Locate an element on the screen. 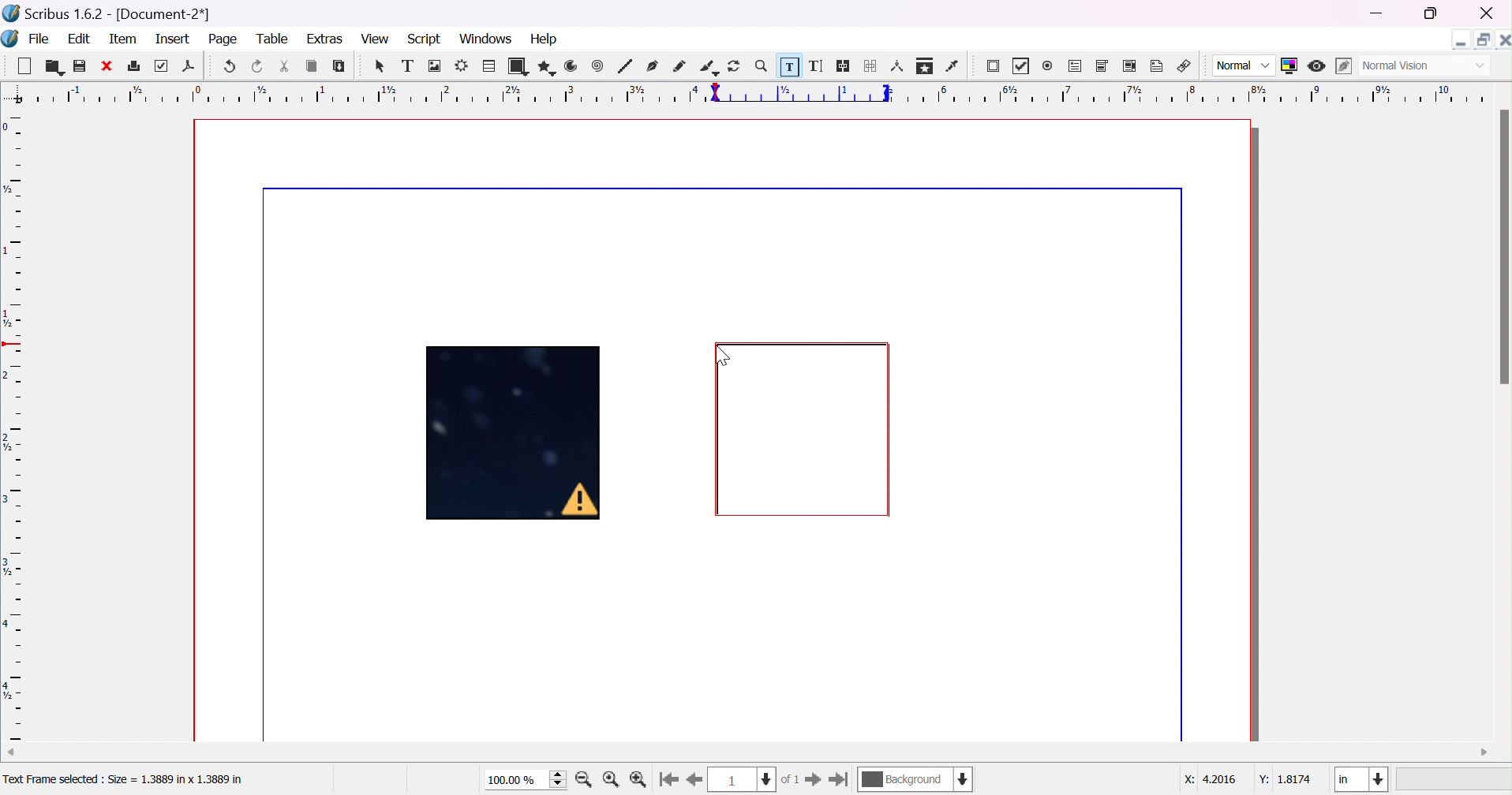 This screenshot has height=795, width=1512. redo is located at coordinates (258, 66).